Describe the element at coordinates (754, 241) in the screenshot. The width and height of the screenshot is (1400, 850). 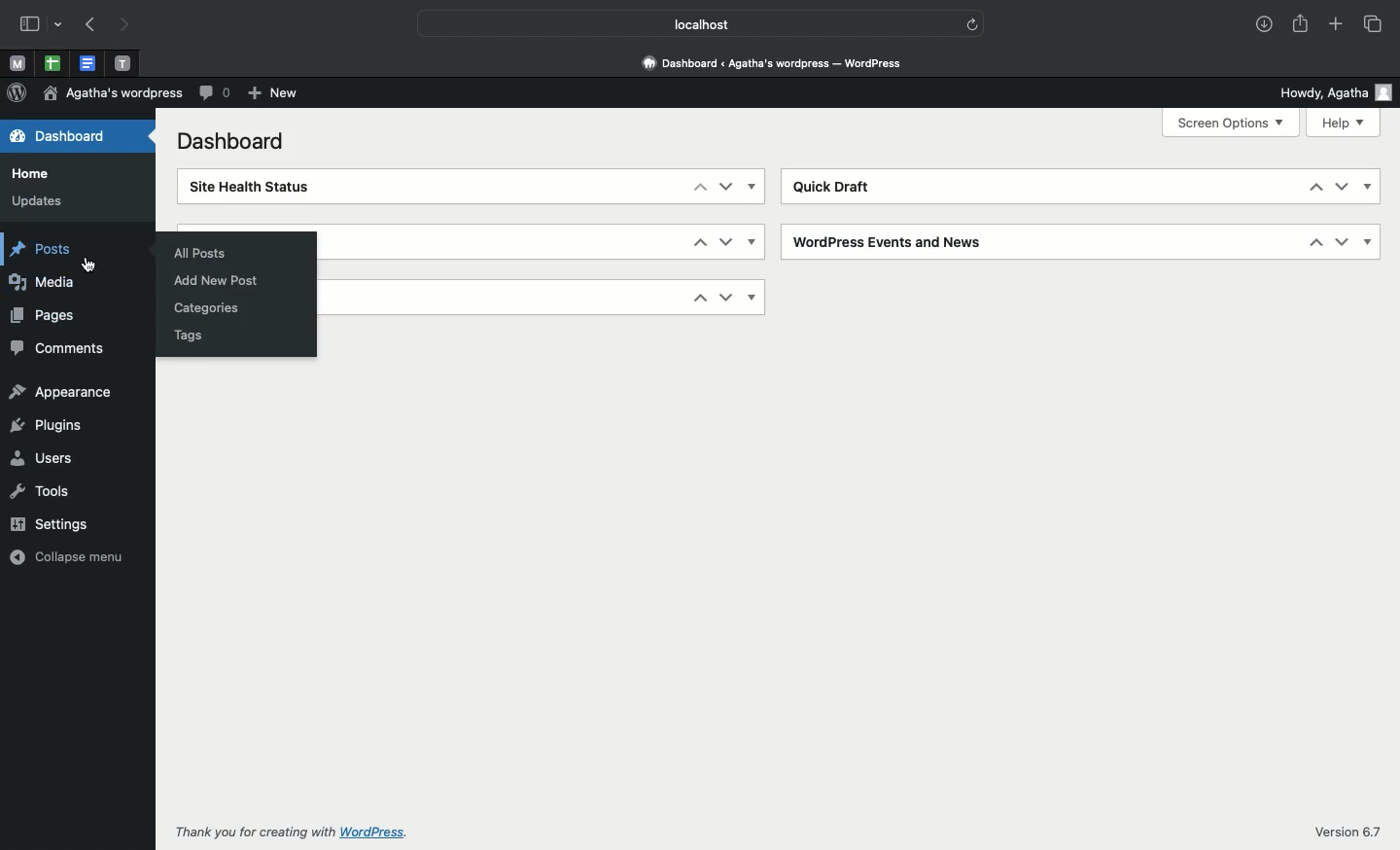
I see `Show` at that location.